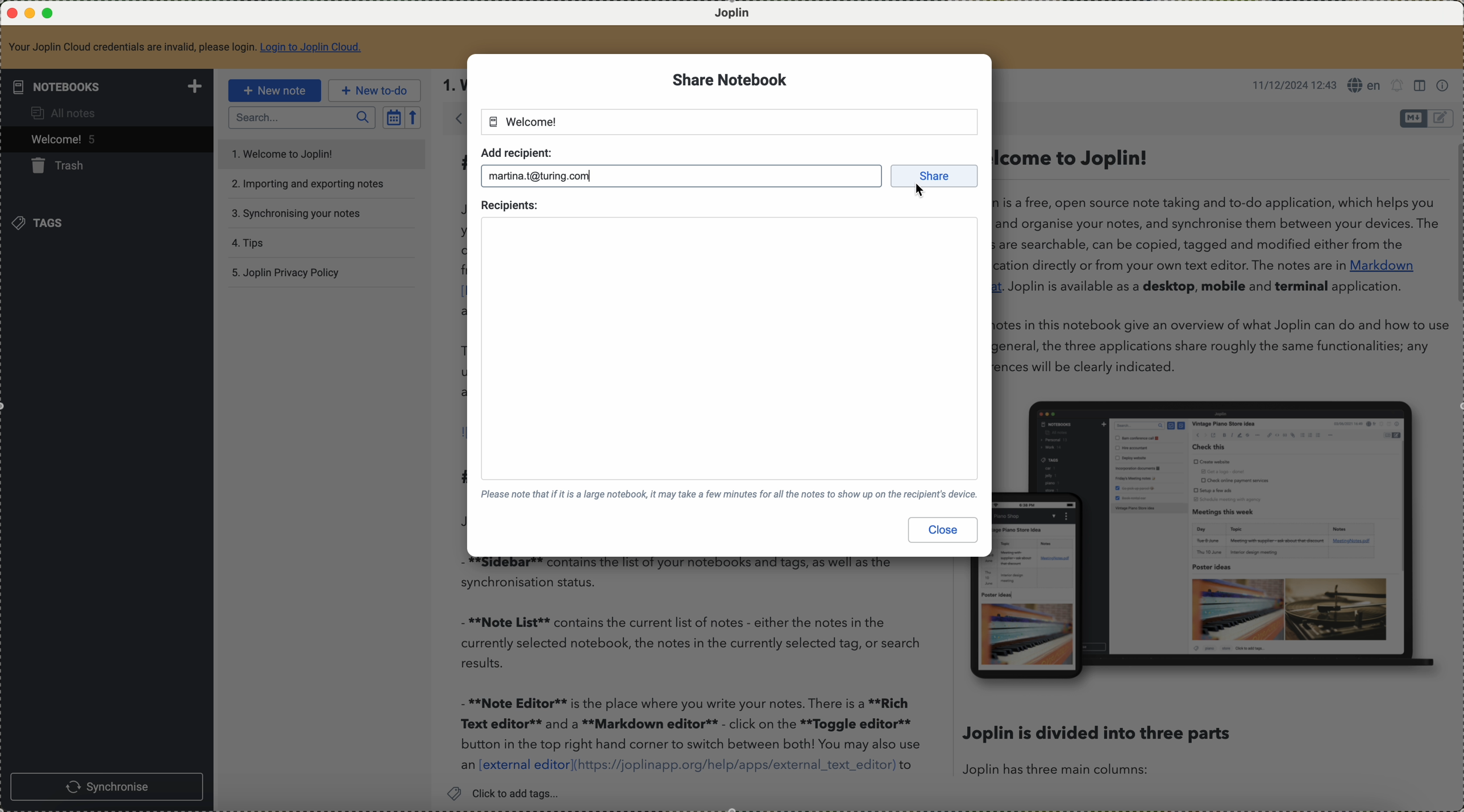  What do you see at coordinates (696, 668) in the screenshot?
I see `- **Note List** contains the current list of notes - either the notes in the
currently selected notebook, the notes in the currently selected tag, or search
results.

- **Note Editor** is the place where you write your notes. There is a **Rich
Text editor** and a **Markdown editor** - click on the **Toggle editor**
button in the top right hand corner to switch between both! You may also use
an [external editor](https://joplinapp.org/help/apps/external_text_editor) to` at bounding box center [696, 668].